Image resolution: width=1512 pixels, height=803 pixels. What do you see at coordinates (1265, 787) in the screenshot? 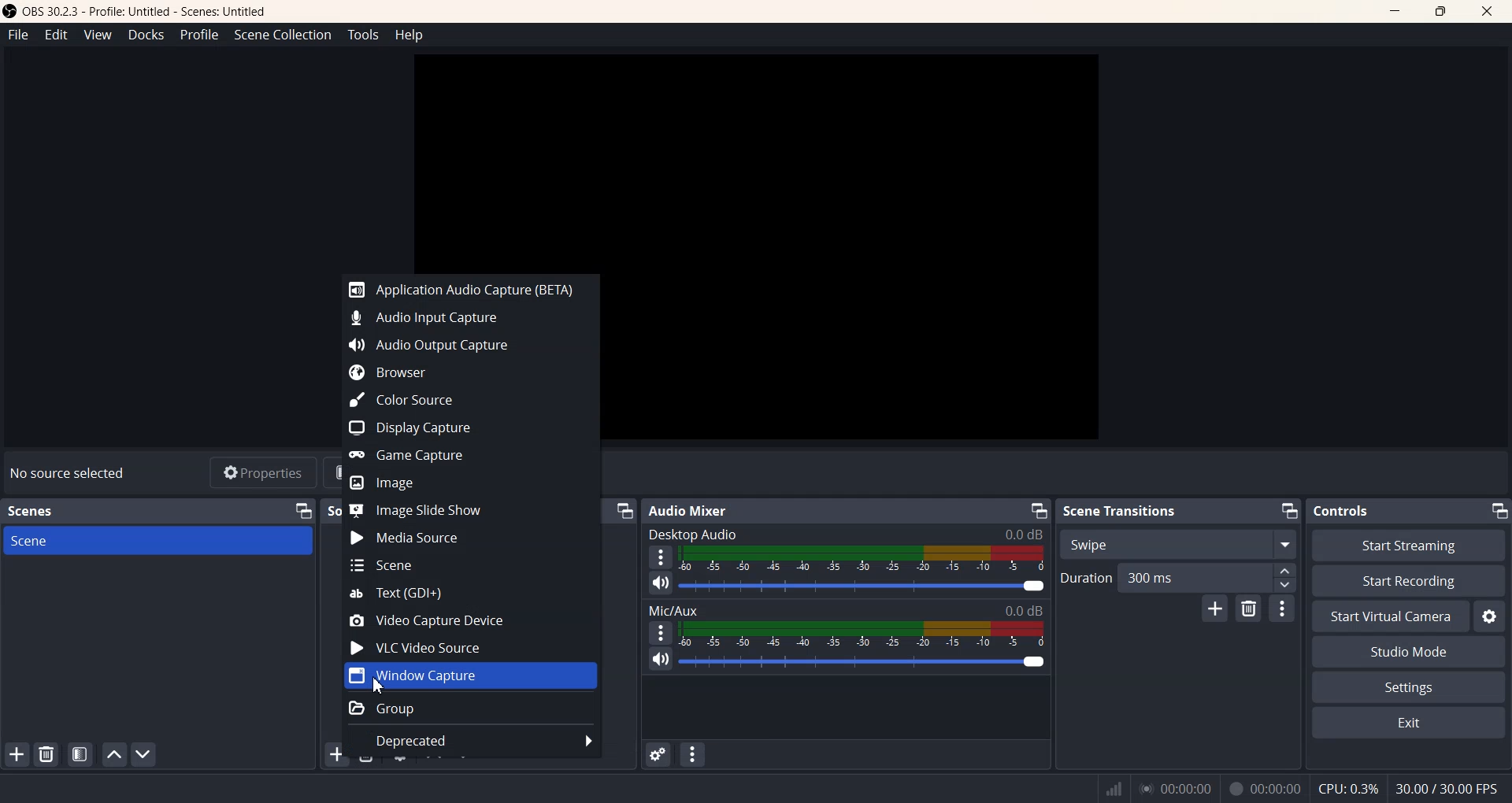
I see `00:00:00` at bounding box center [1265, 787].